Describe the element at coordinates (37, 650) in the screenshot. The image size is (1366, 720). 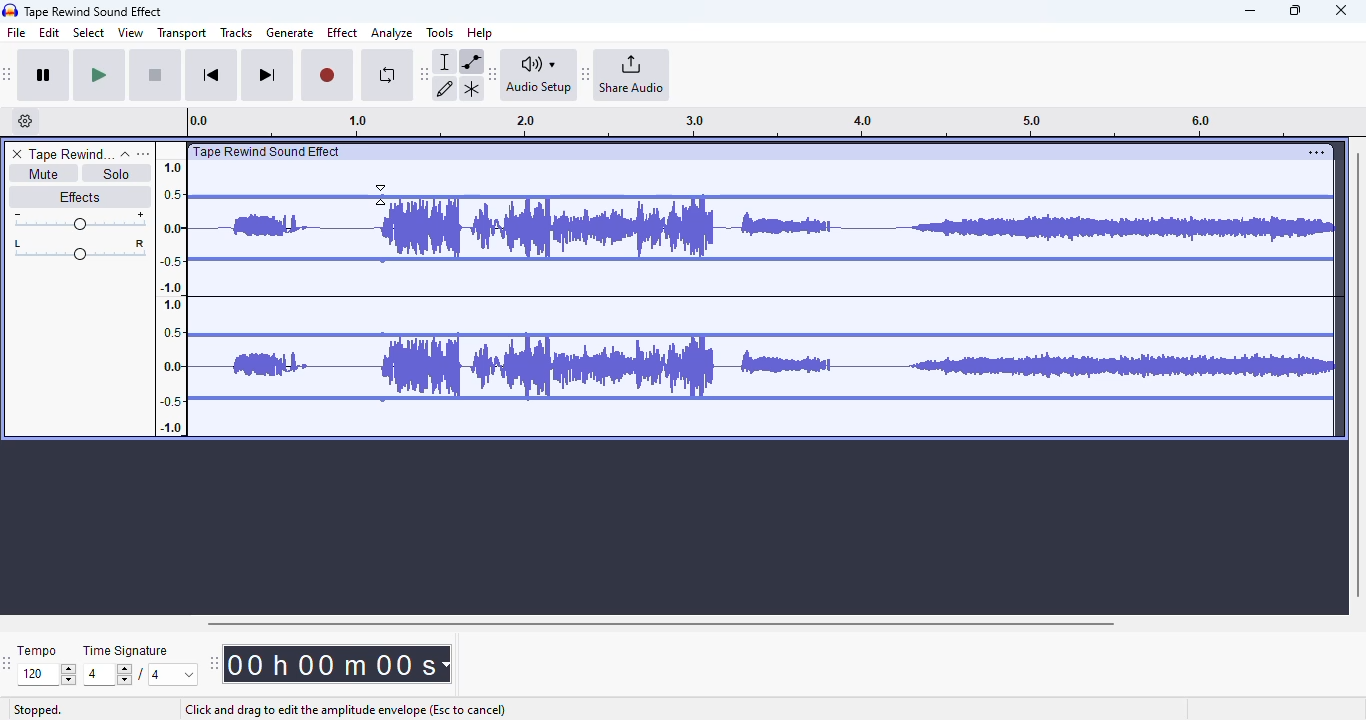
I see `tempo` at that location.